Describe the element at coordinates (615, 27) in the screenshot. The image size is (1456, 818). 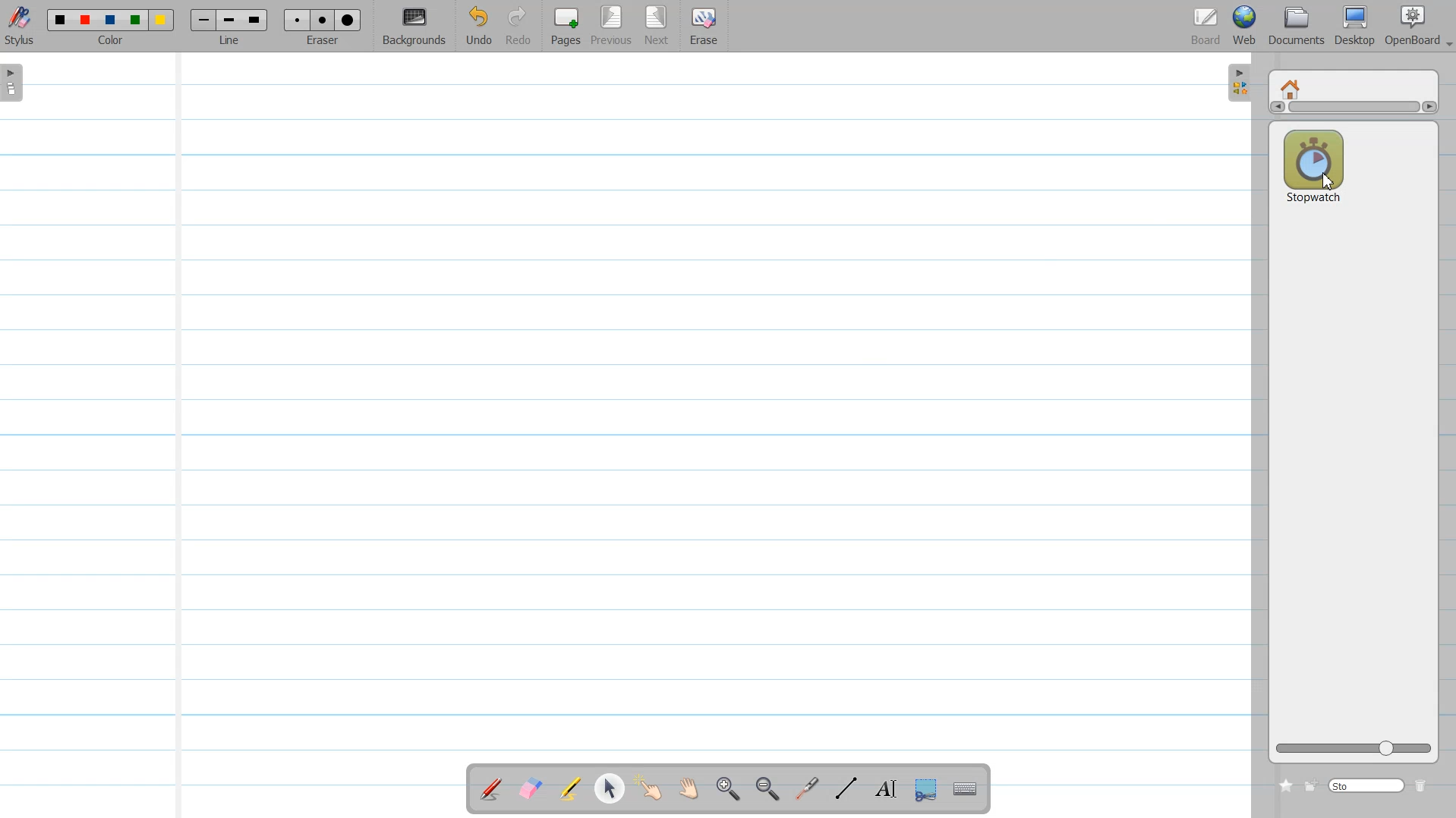
I see `Previous` at that location.